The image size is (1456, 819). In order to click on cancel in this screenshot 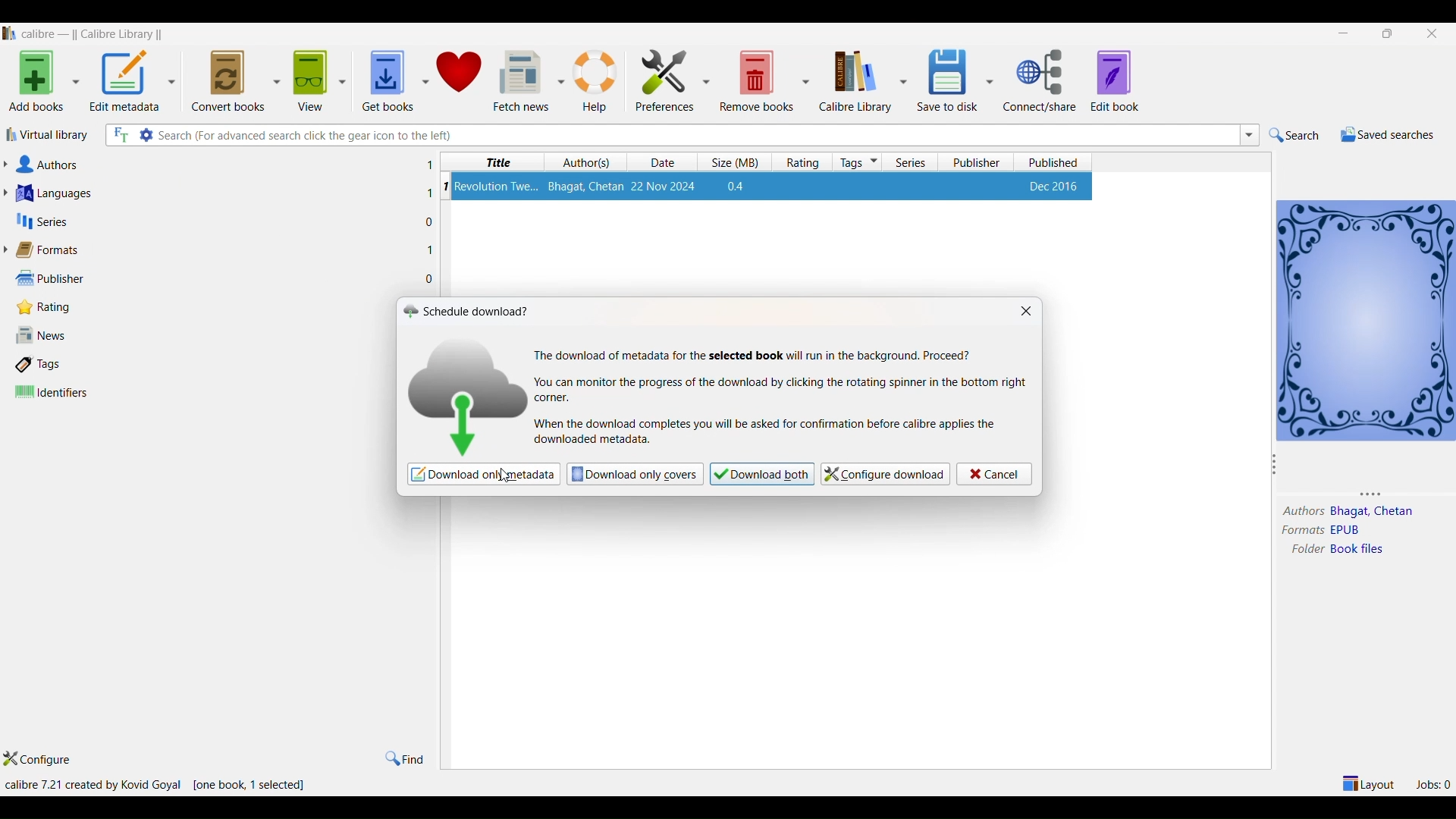, I will do `click(995, 475)`.